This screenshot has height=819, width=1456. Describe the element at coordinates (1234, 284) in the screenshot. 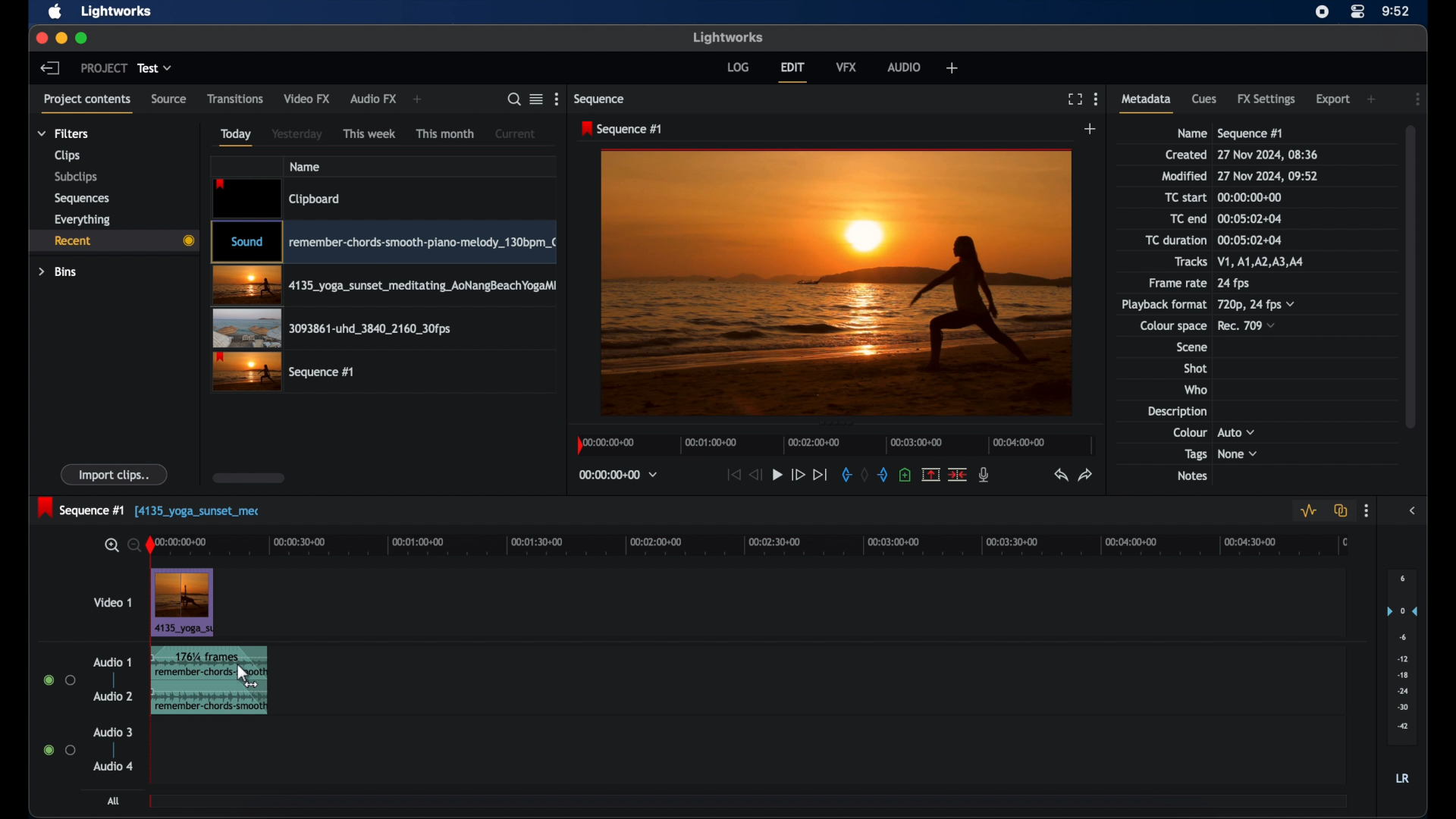

I see `24 fps` at that location.